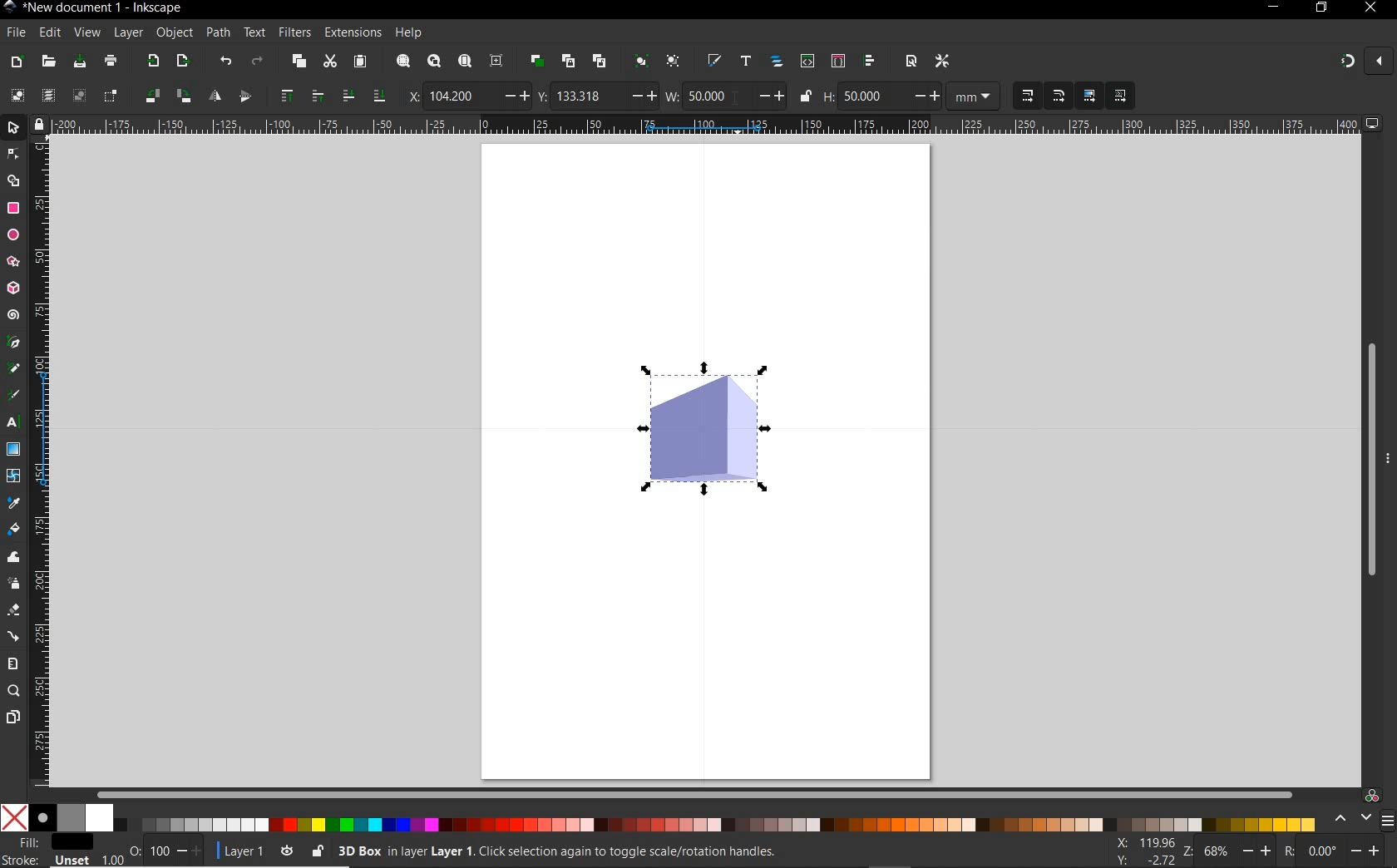 Image resolution: width=1397 pixels, height=868 pixels. What do you see at coordinates (79, 61) in the screenshot?
I see `save` at bounding box center [79, 61].